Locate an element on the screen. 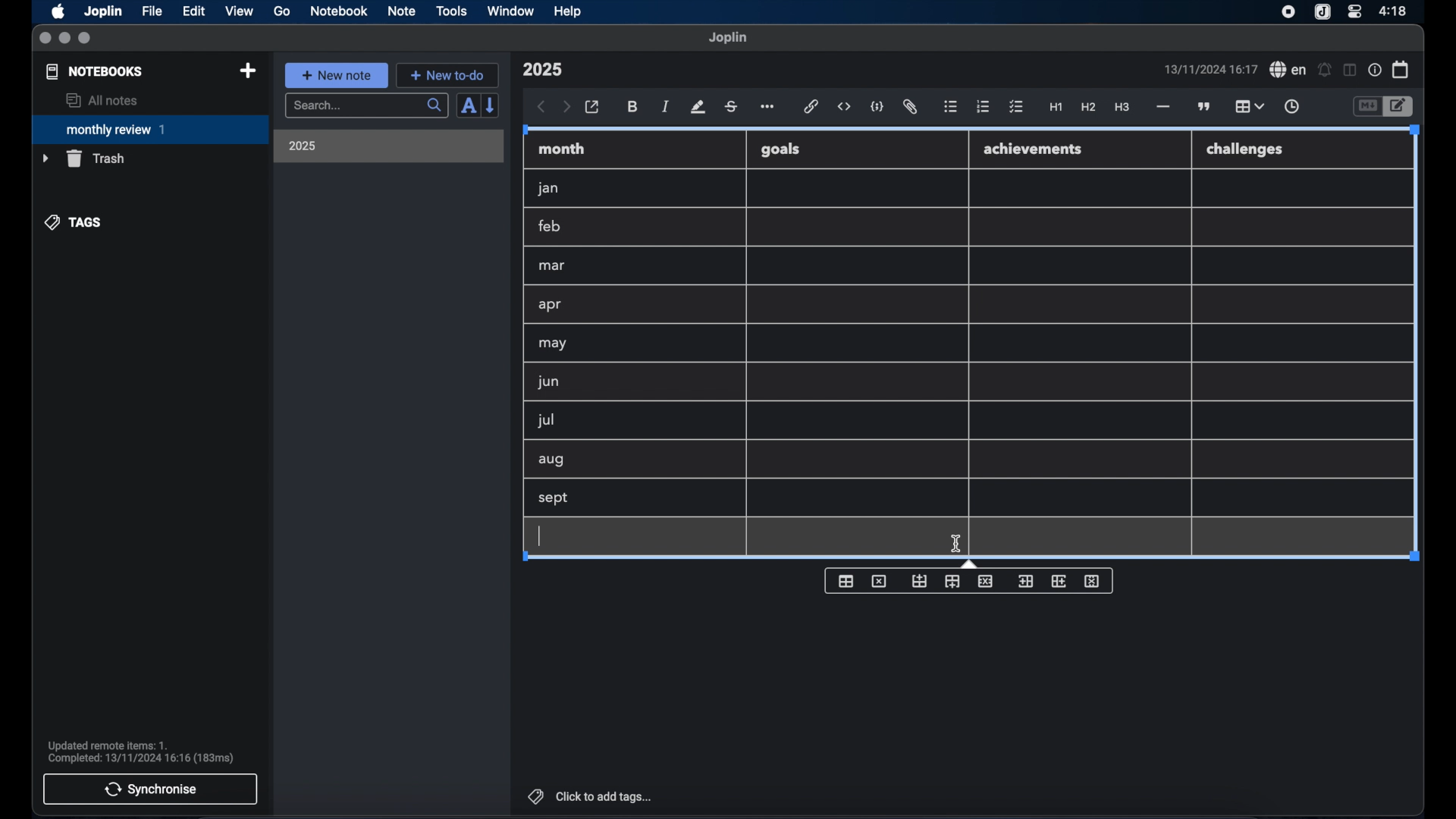 The width and height of the screenshot is (1456, 819). joplin icon is located at coordinates (1321, 13).